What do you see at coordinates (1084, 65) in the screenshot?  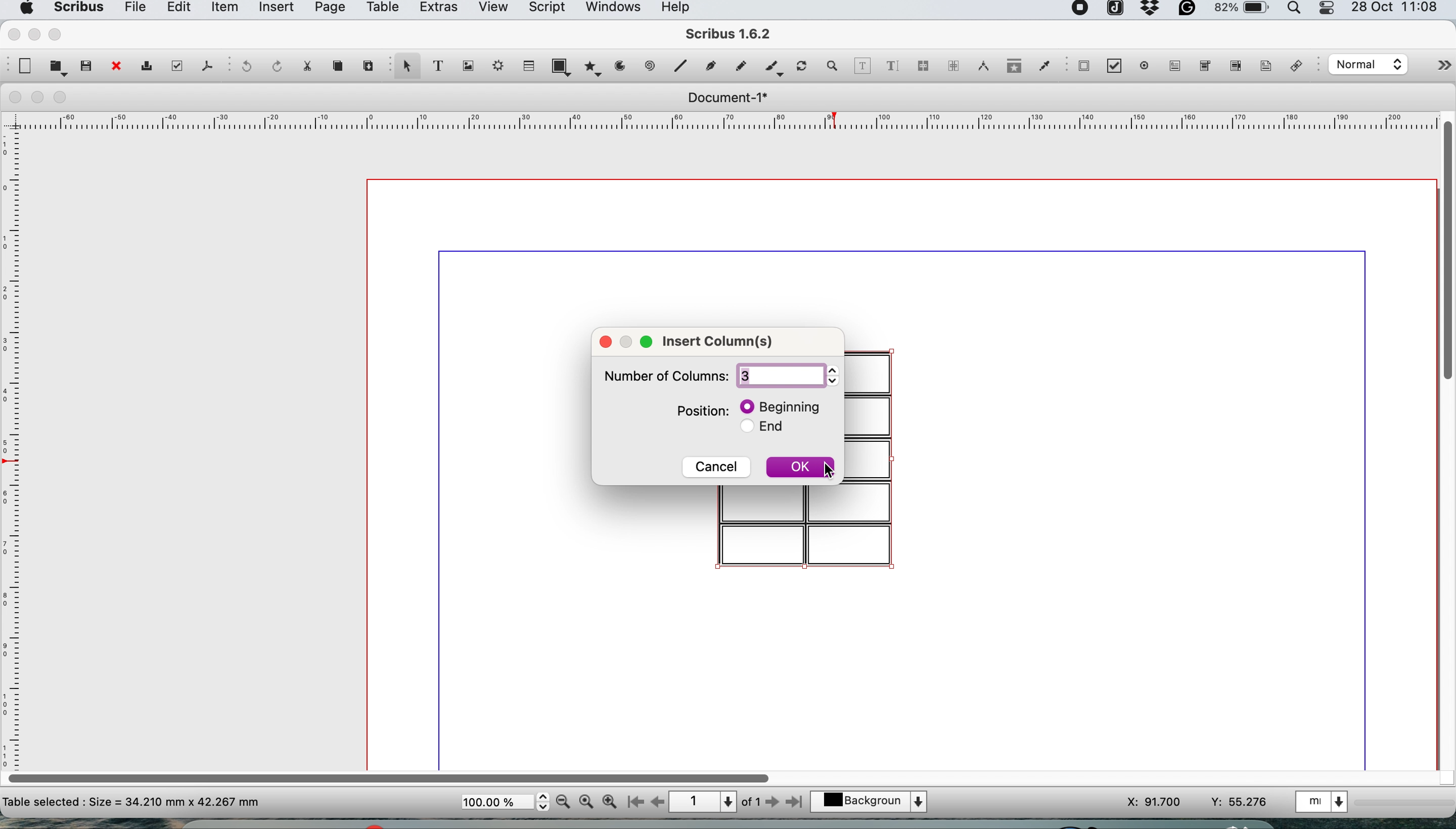 I see `pdf check button` at bounding box center [1084, 65].